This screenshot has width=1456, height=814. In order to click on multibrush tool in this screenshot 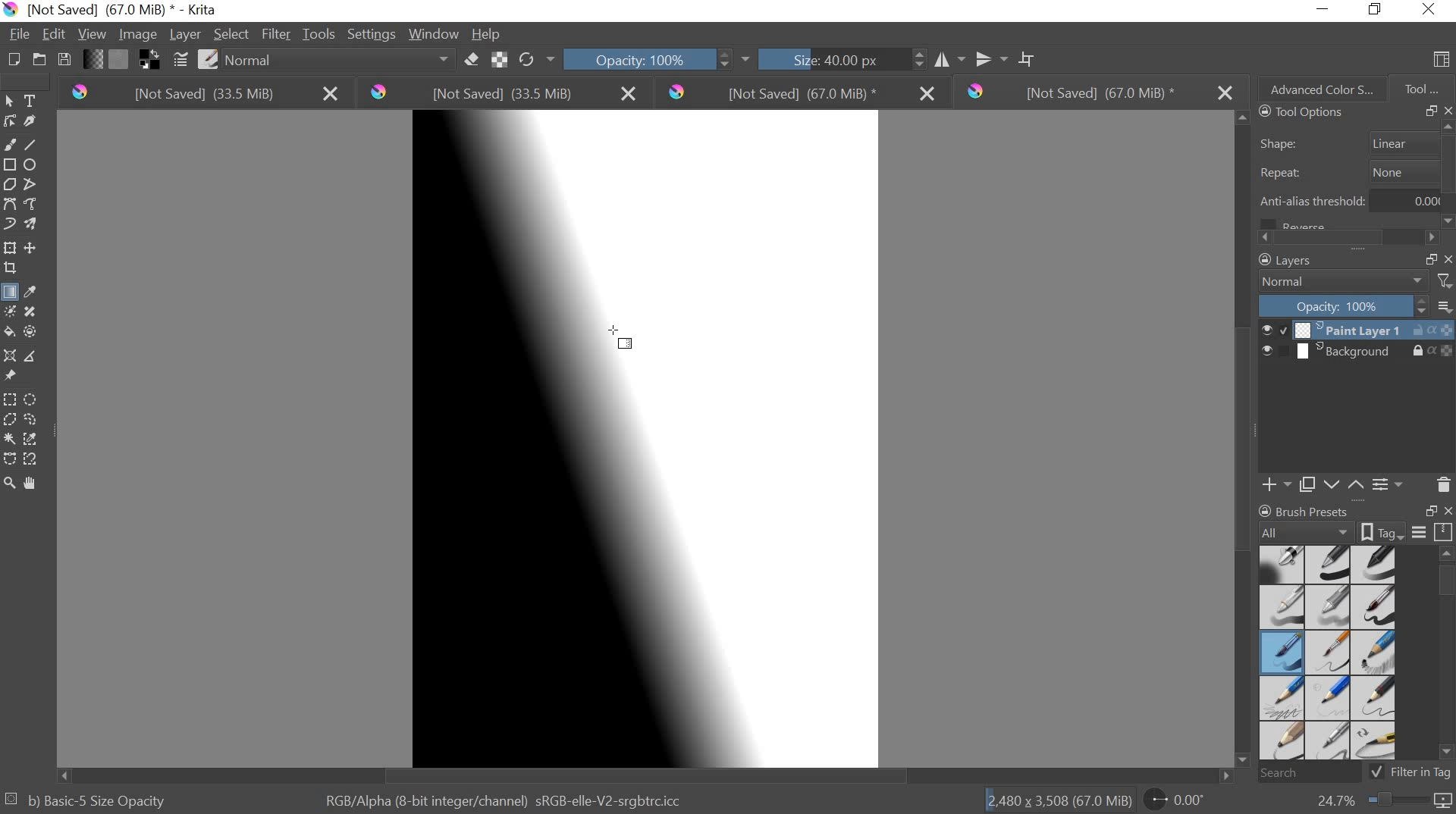, I will do `click(33, 222)`.